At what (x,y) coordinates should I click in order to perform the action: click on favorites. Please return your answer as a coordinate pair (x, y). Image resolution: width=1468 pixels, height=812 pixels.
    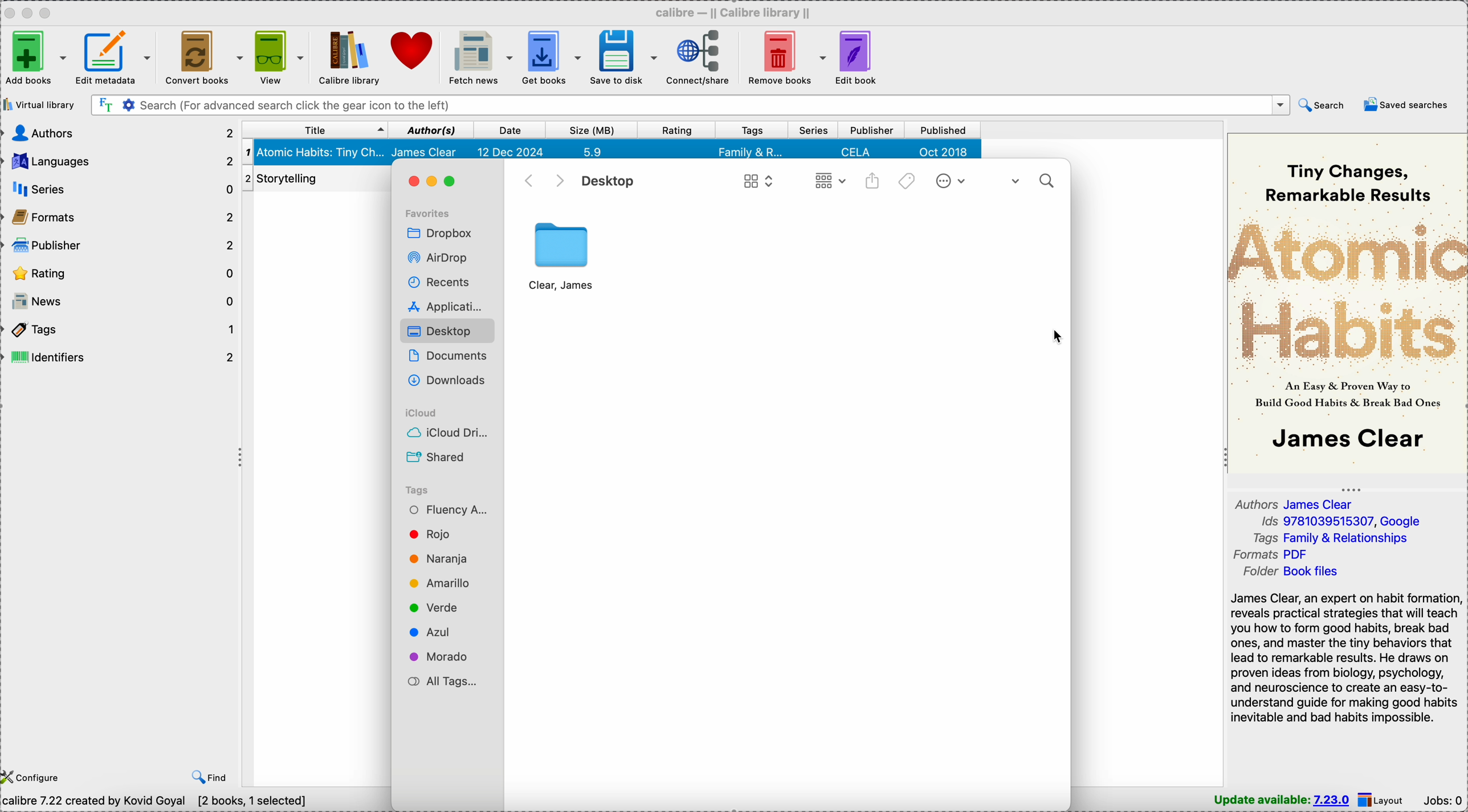
    Looking at the image, I should click on (429, 213).